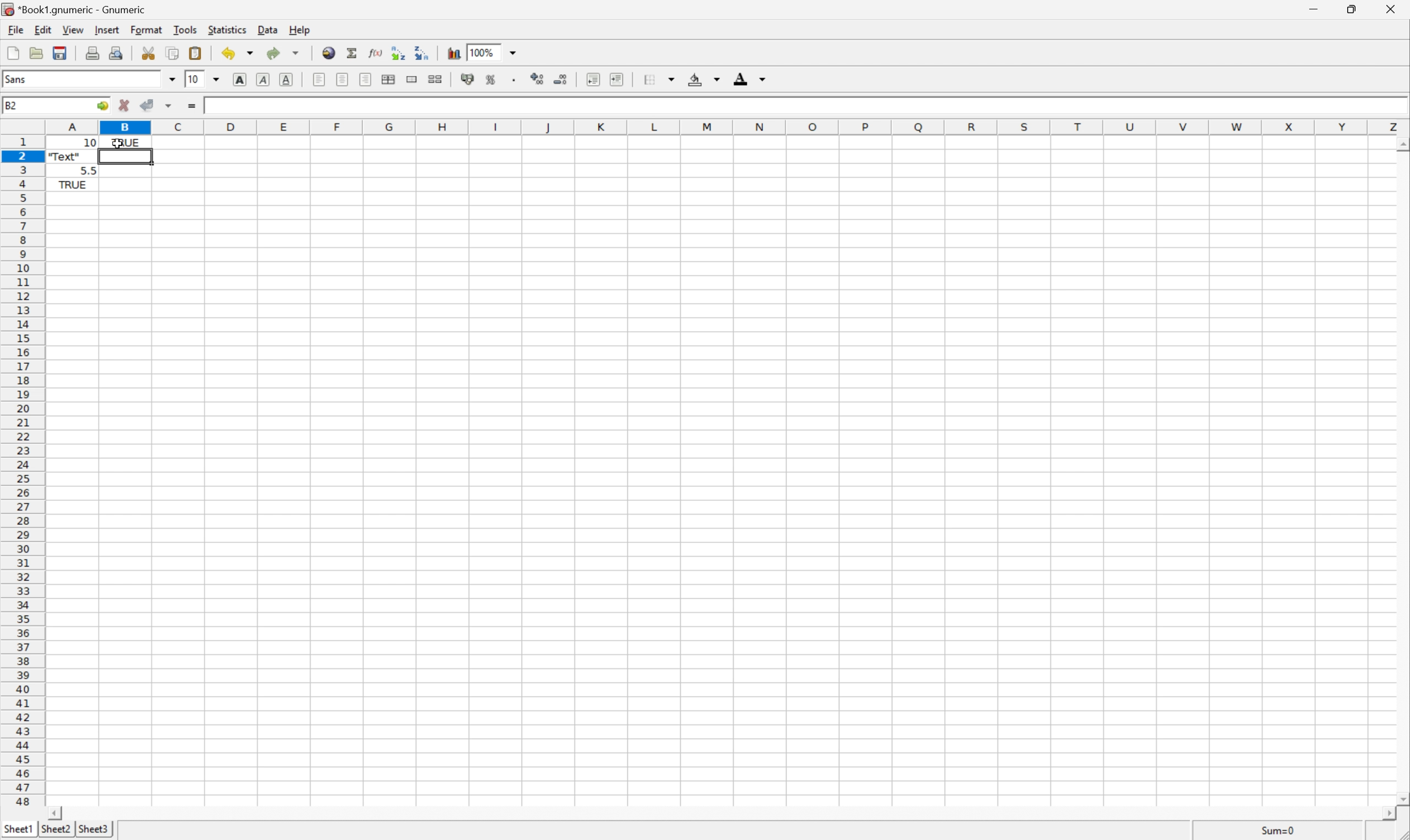 This screenshot has width=1410, height=840. I want to click on Decrease number of decimals displayed, so click(562, 80).